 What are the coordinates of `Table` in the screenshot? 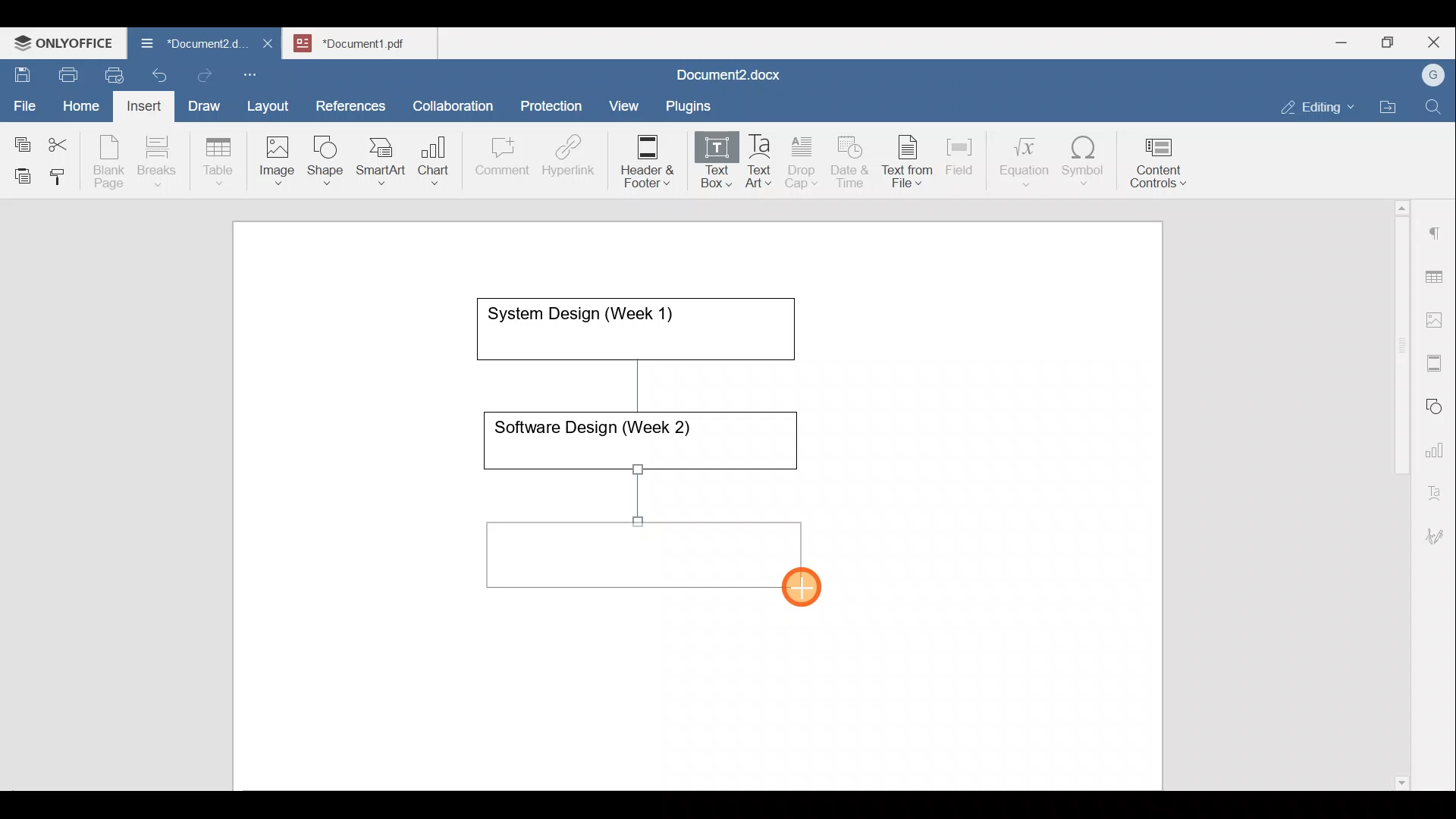 It's located at (219, 158).